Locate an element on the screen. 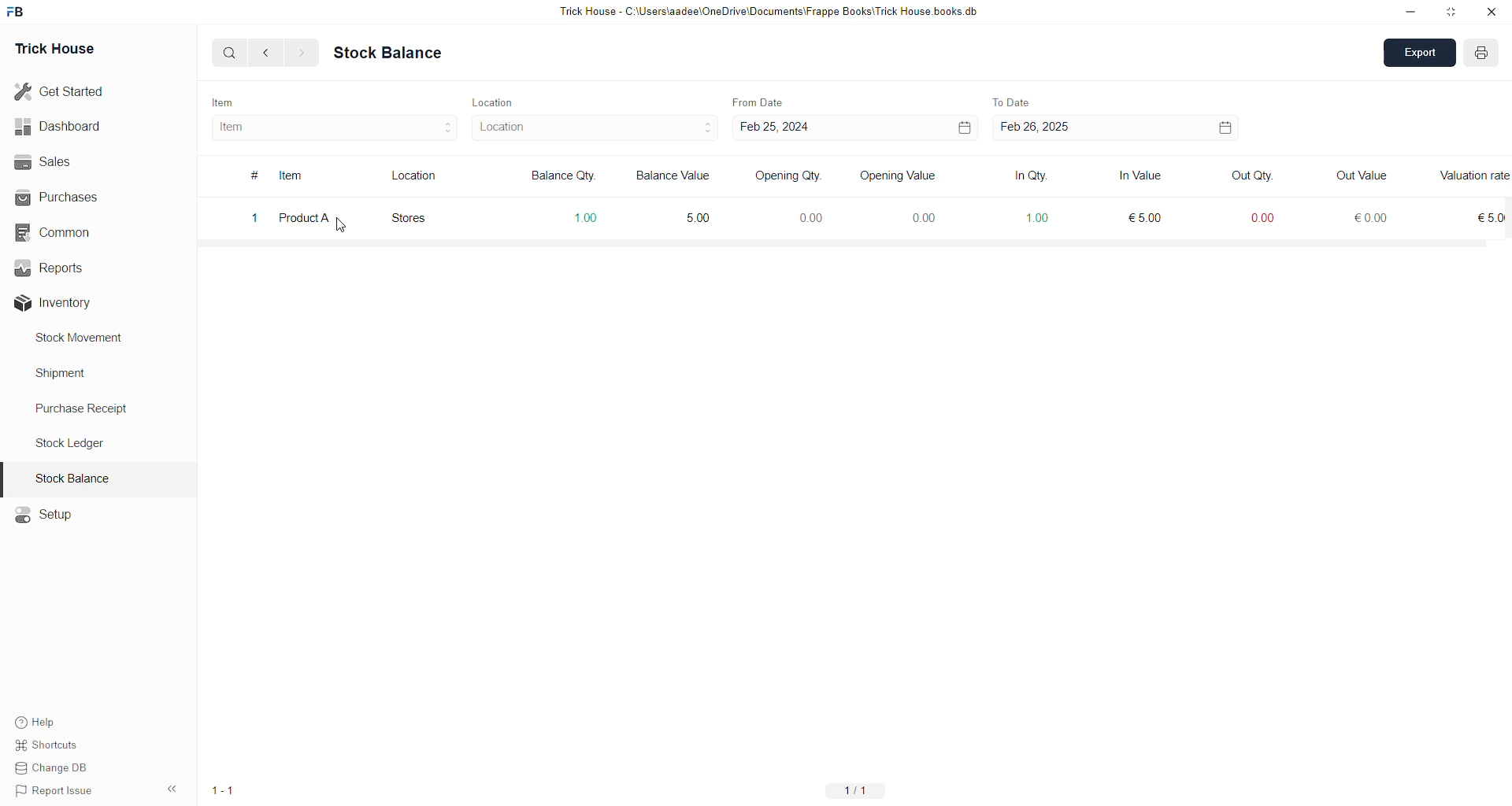 The width and height of the screenshot is (1512, 806). Report issue is located at coordinates (65, 791).